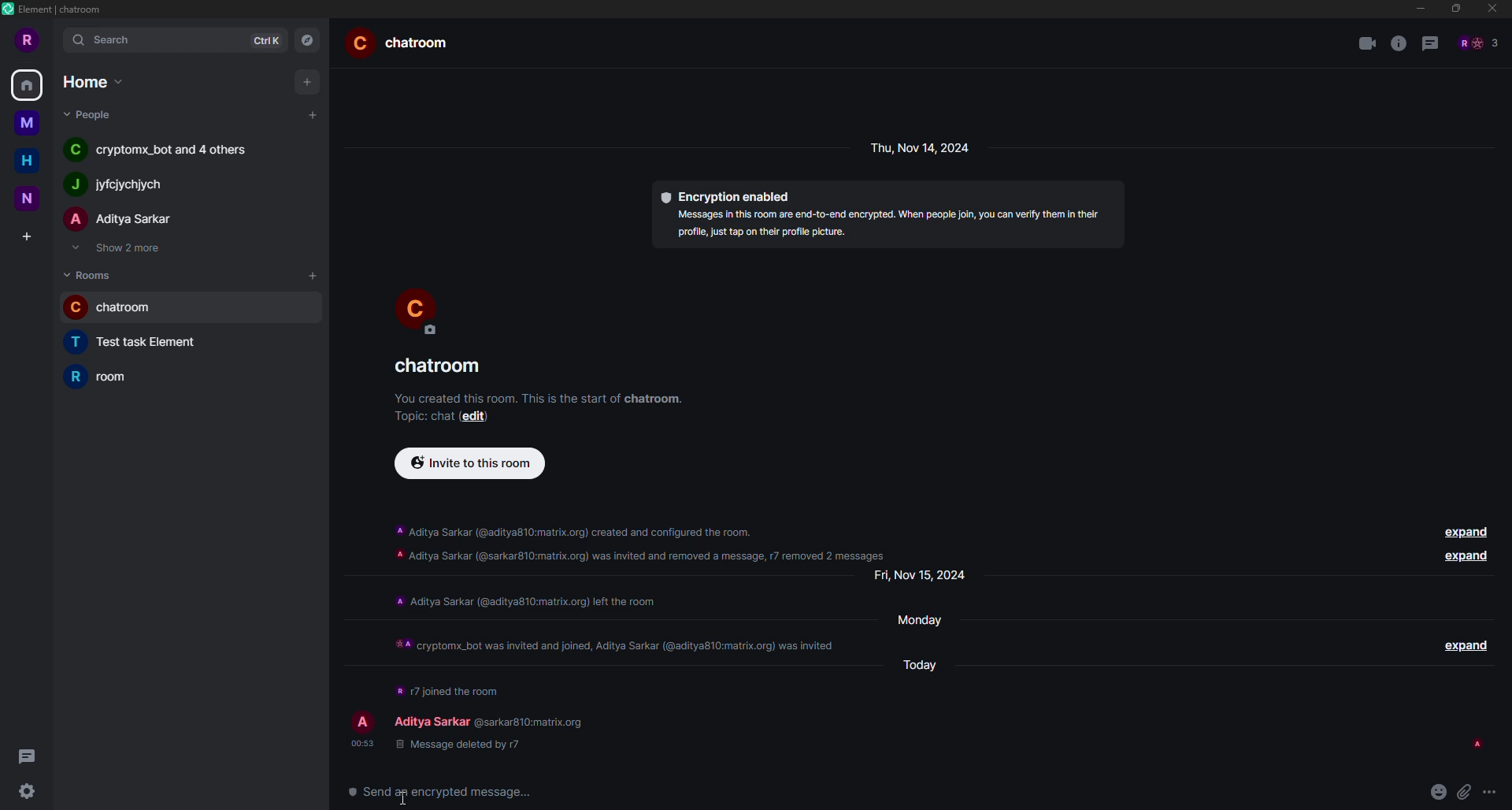 This screenshot has width=1512, height=810. What do you see at coordinates (25, 120) in the screenshot?
I see `space` at bounding box center [25, 120].